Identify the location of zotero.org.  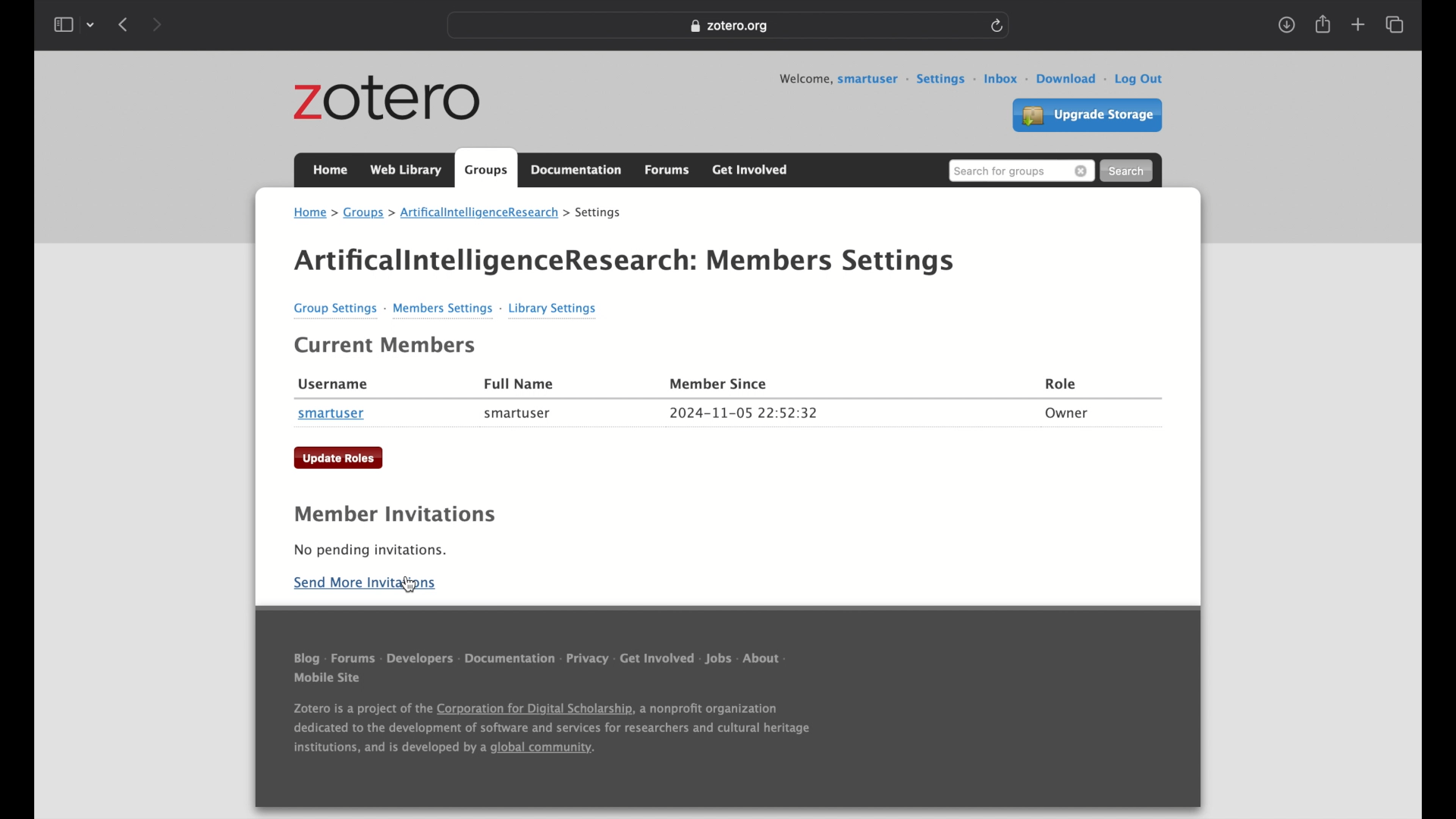
(732, 27).